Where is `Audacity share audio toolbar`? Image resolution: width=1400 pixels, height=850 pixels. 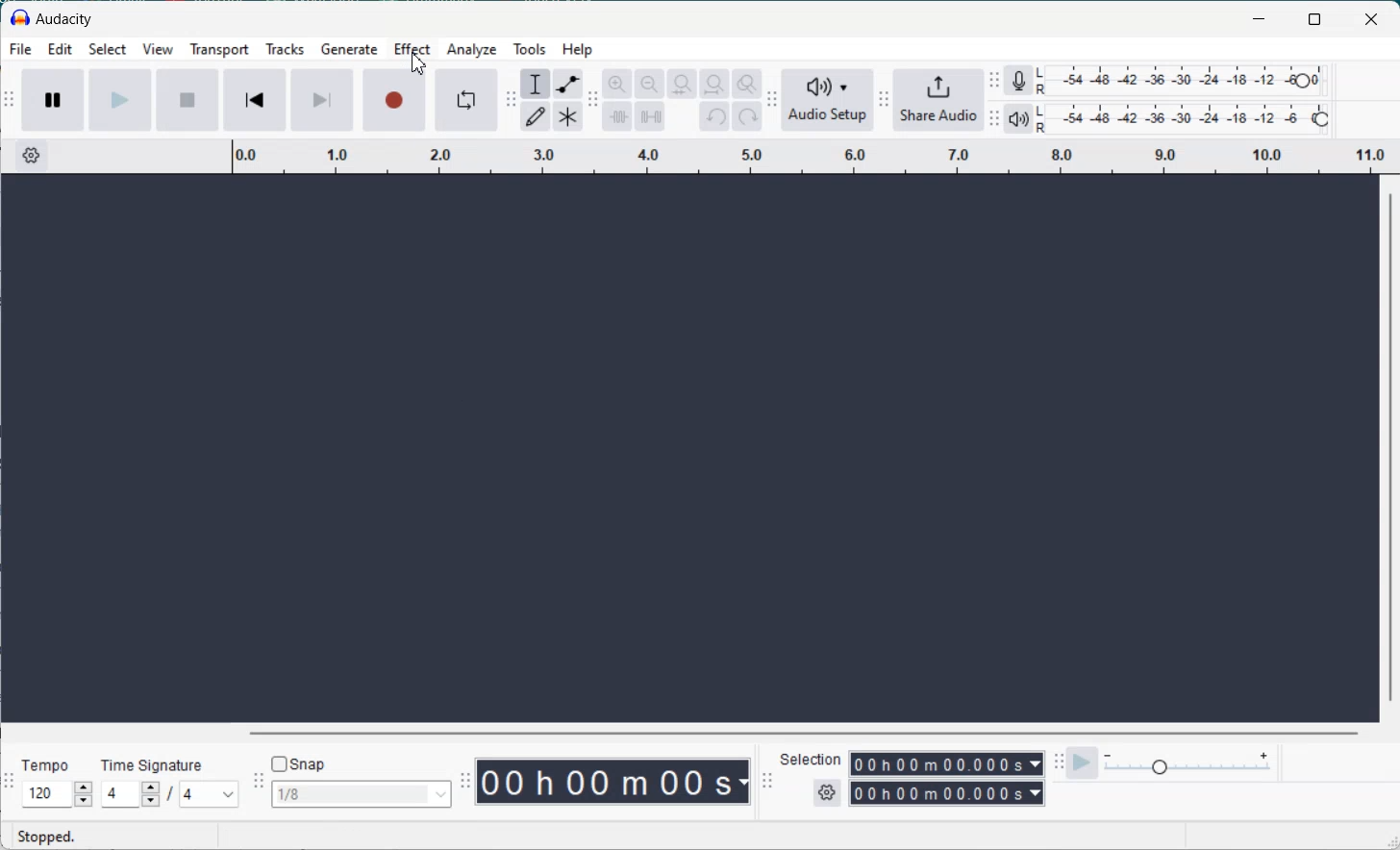
Audacity share audio toolbar is located at coordinates (884, 101).